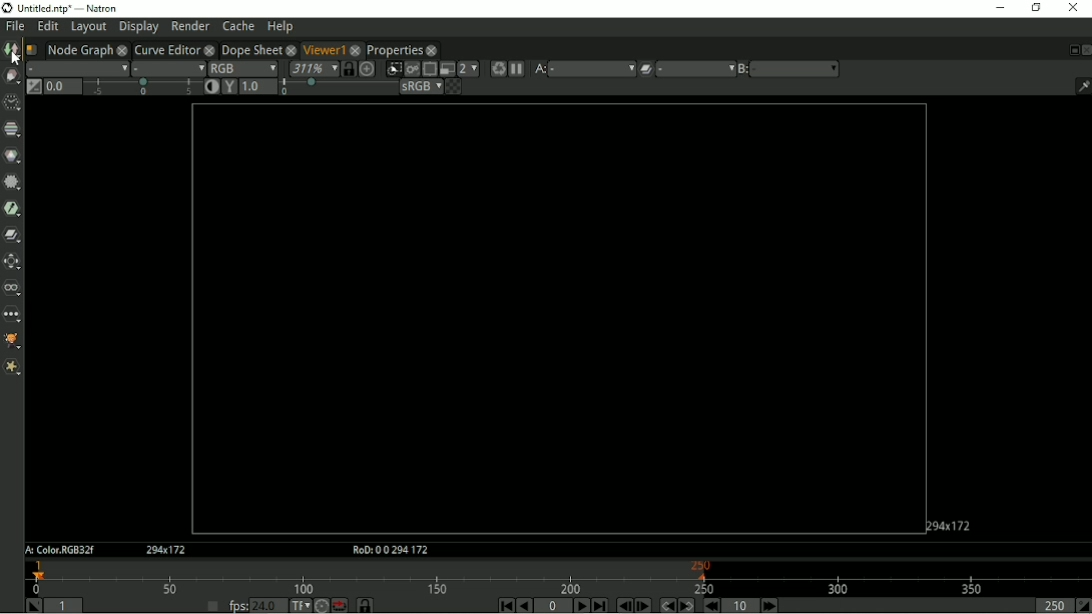  What do you see at coordinates (12, 155) in the screenshot?
I see `Color` at bounding box center [12, 155].